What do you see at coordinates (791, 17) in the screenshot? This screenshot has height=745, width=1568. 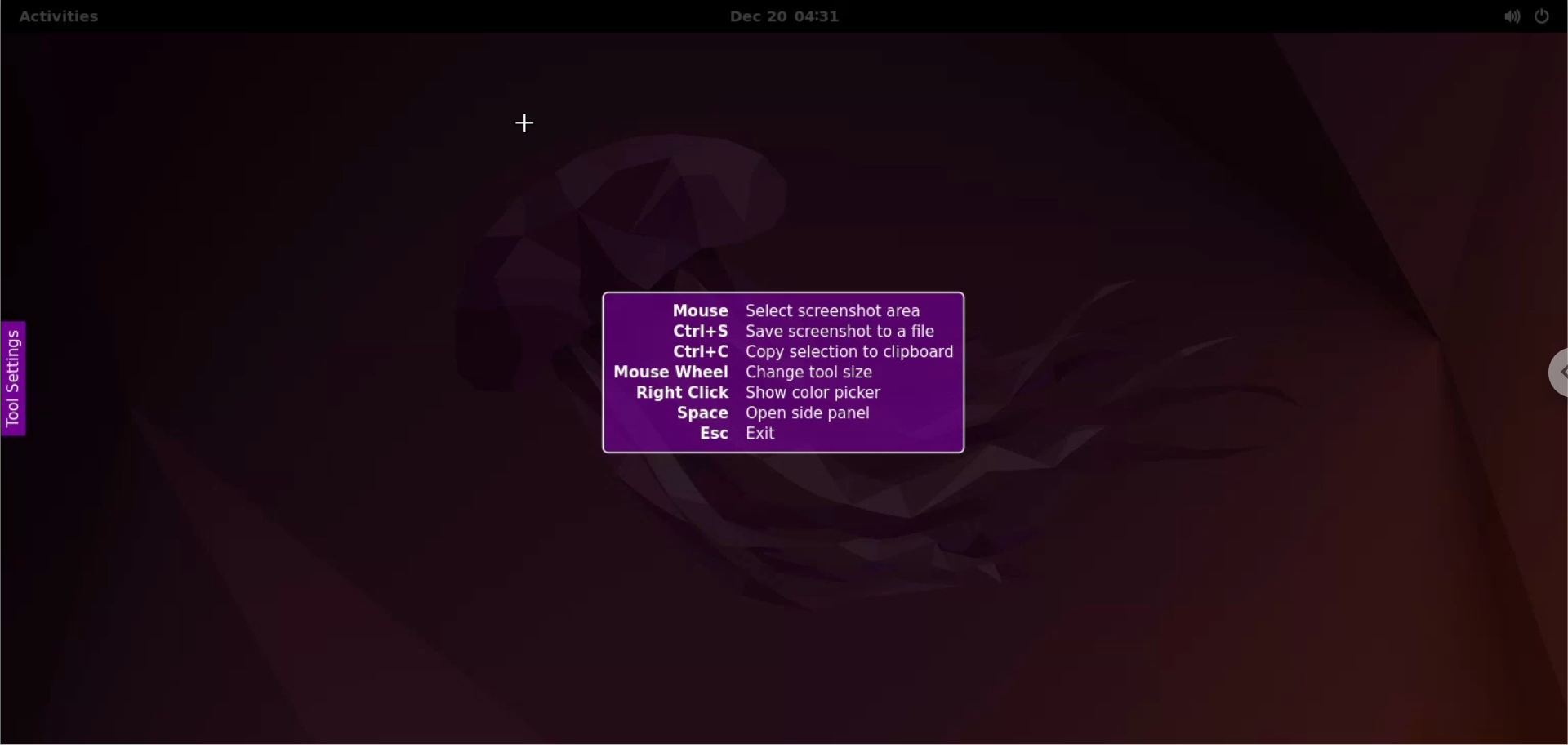 I see `Dec 20 04:31` at bounding box center [791, 17].